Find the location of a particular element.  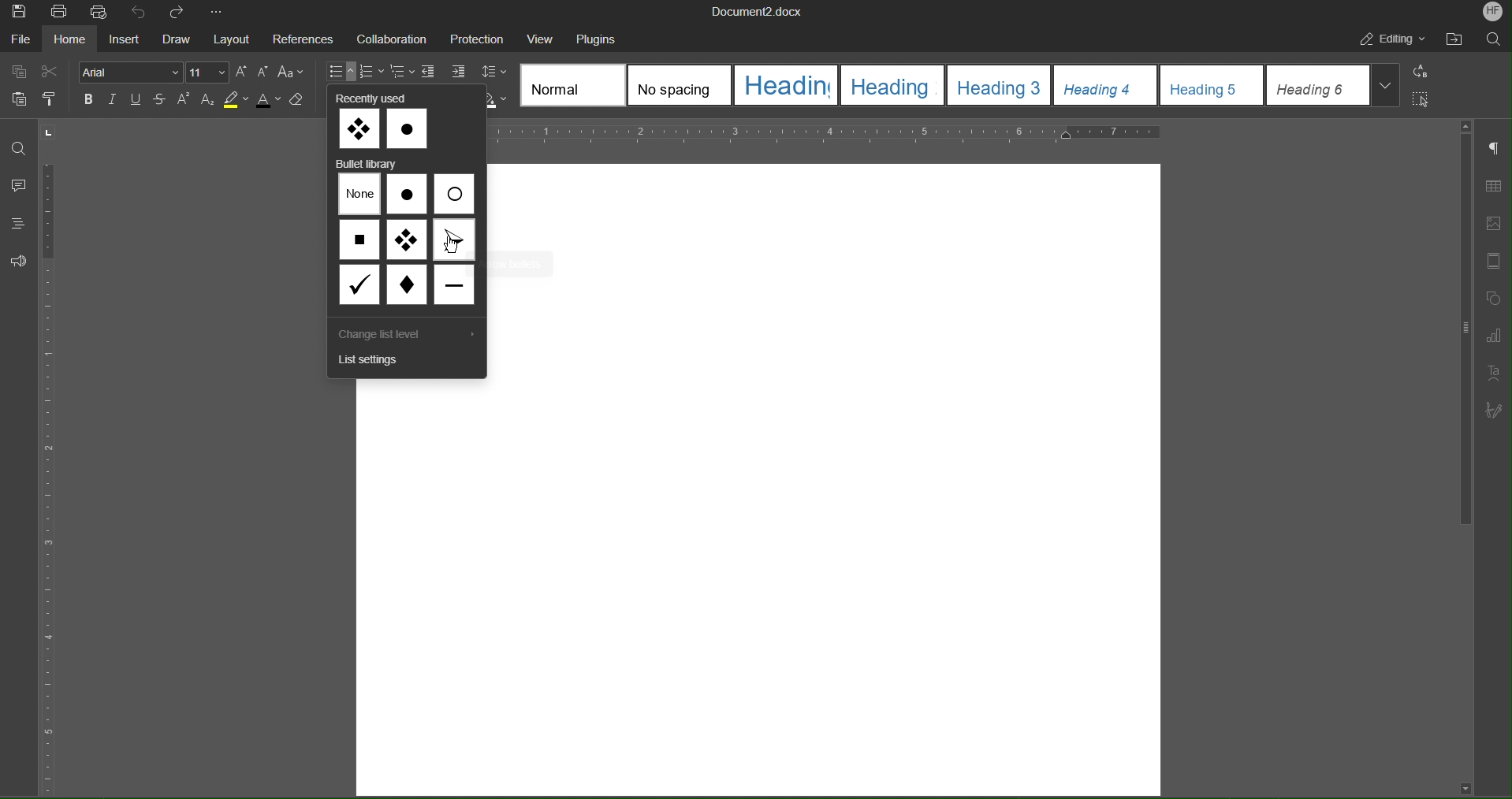

Replace is located at coordinates (1423, 72).